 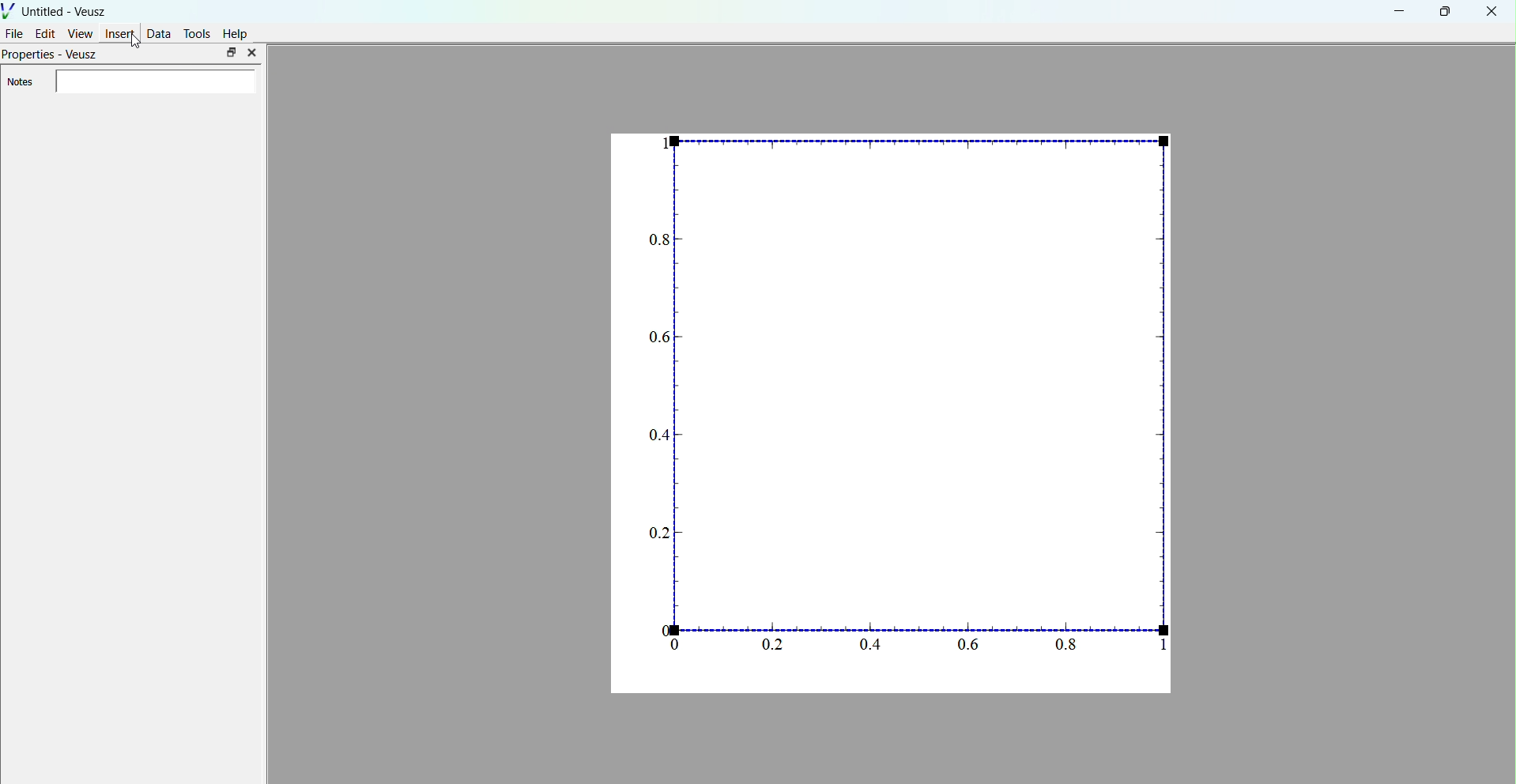 I want to click on graphs, so click(x=893, y=412).